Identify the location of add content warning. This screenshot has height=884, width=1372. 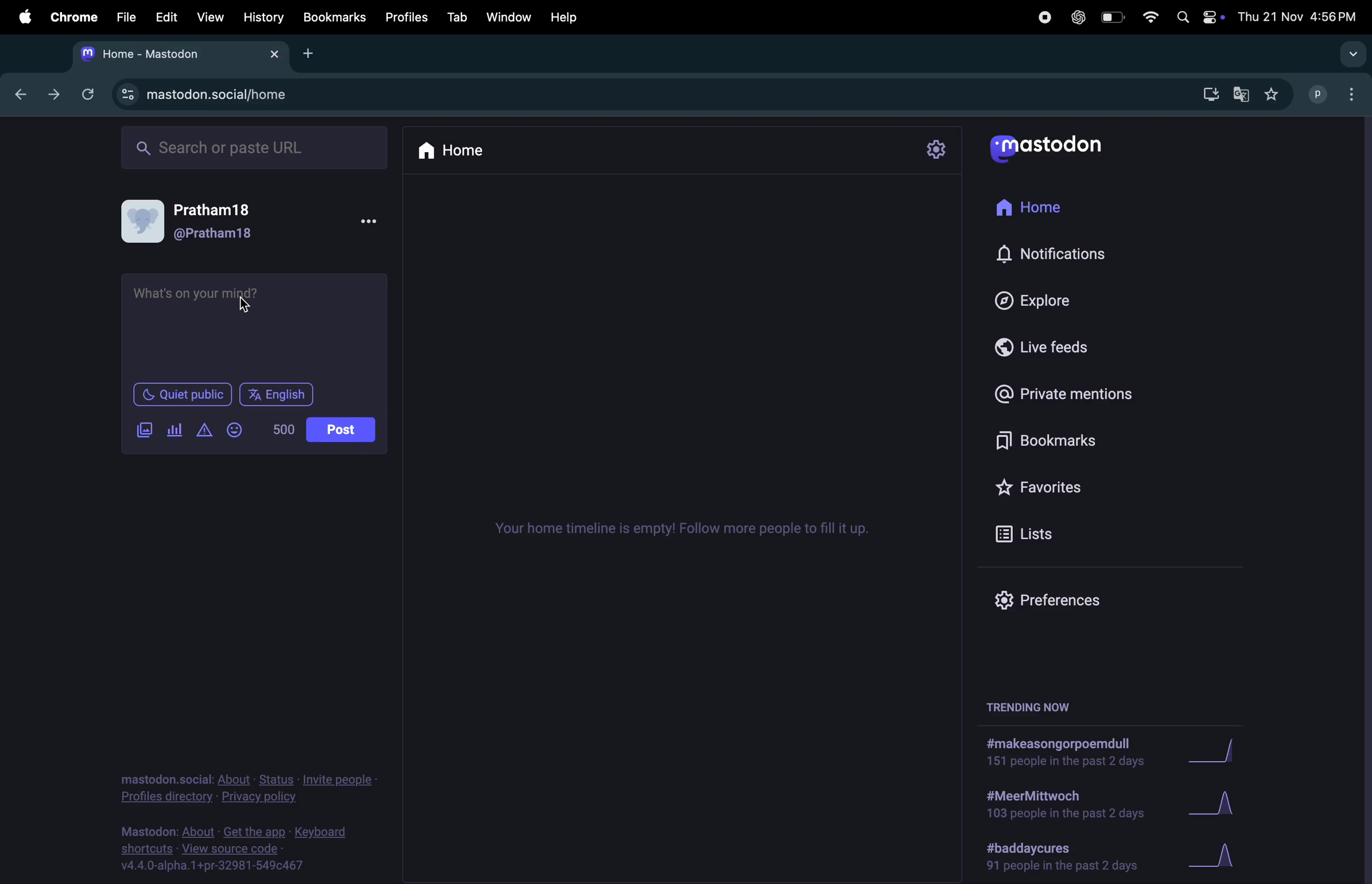
(204, 432).